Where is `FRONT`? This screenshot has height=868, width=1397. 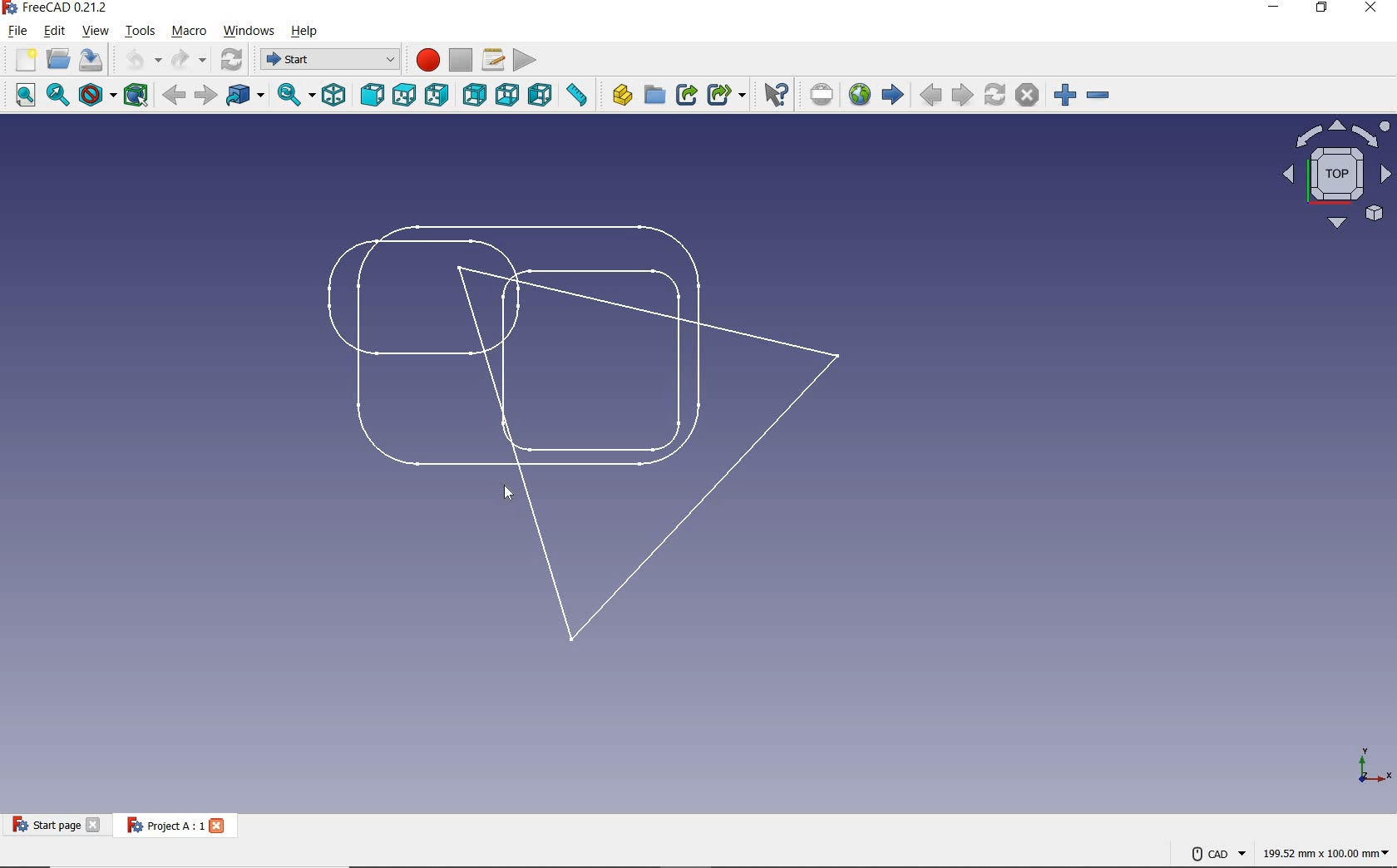
FRONT is located at coordinates (371, 95).